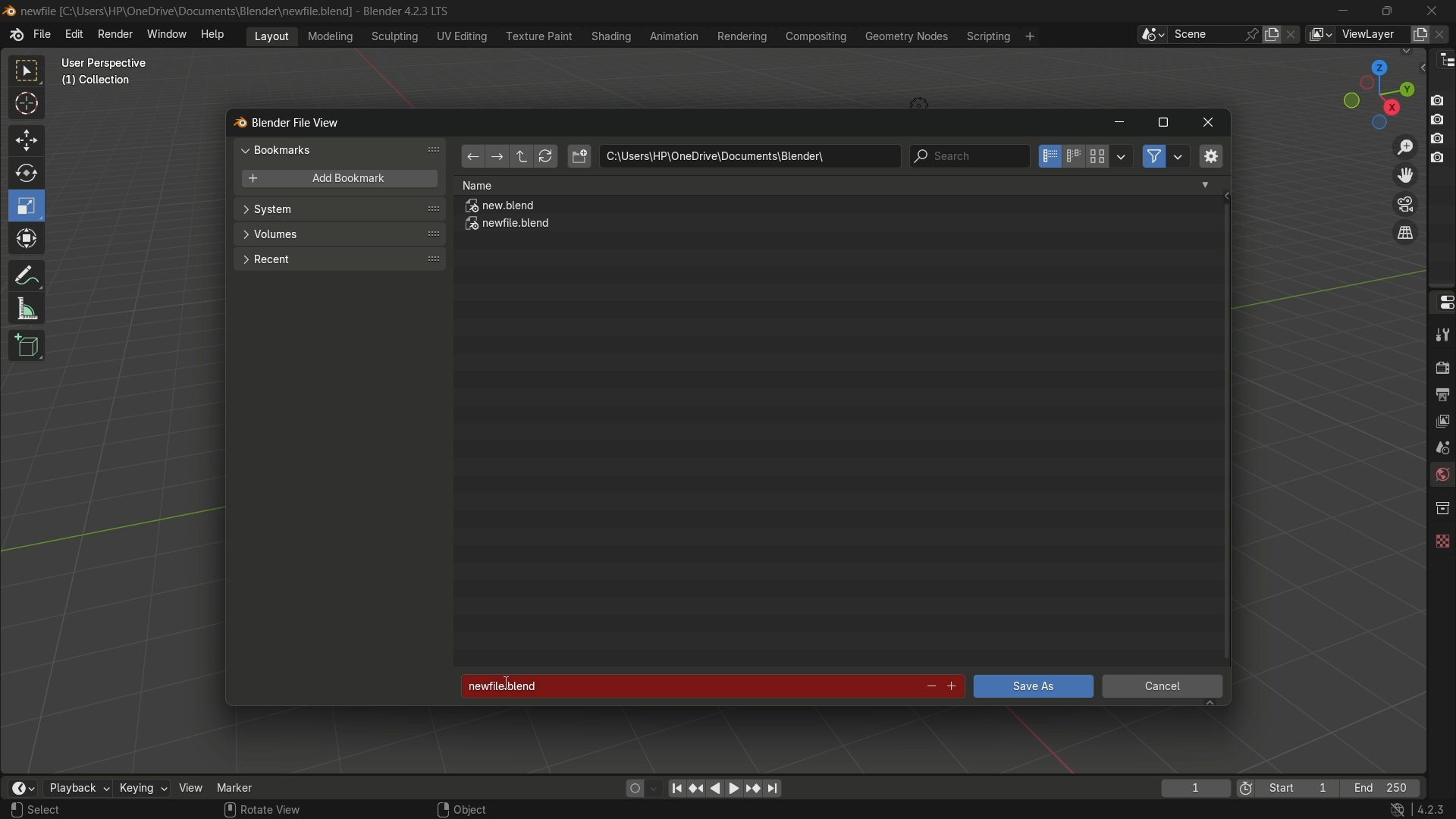 Image resolution: width=1456 pixels, height=819 pixels. What do you see at coordinates (1205, 33) in the screenshot?
I see `scene name` at bounding box center [1205, 33].